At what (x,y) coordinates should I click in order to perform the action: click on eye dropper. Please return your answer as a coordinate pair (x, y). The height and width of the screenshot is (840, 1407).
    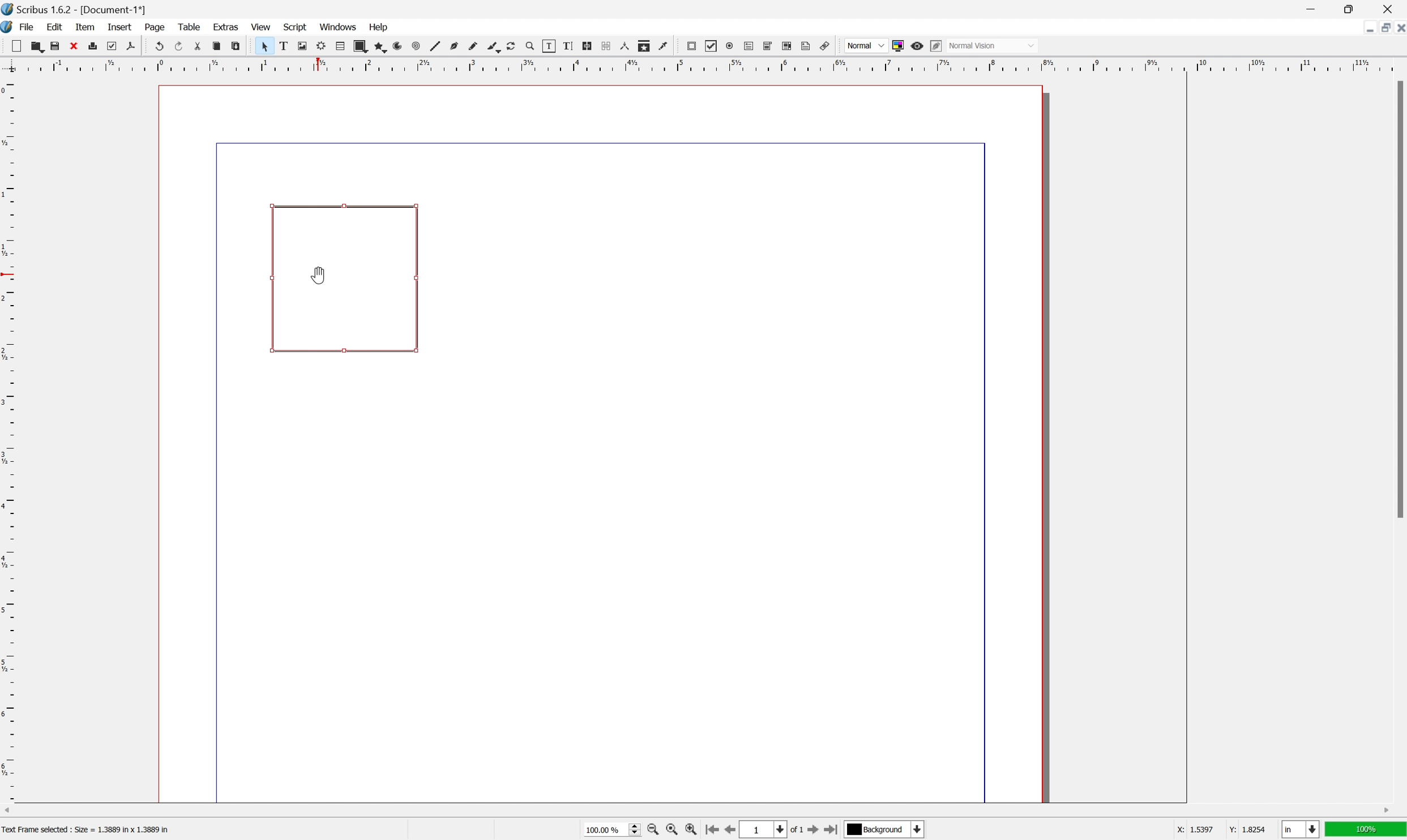
    Looking at the image, I should click on (664, 46).